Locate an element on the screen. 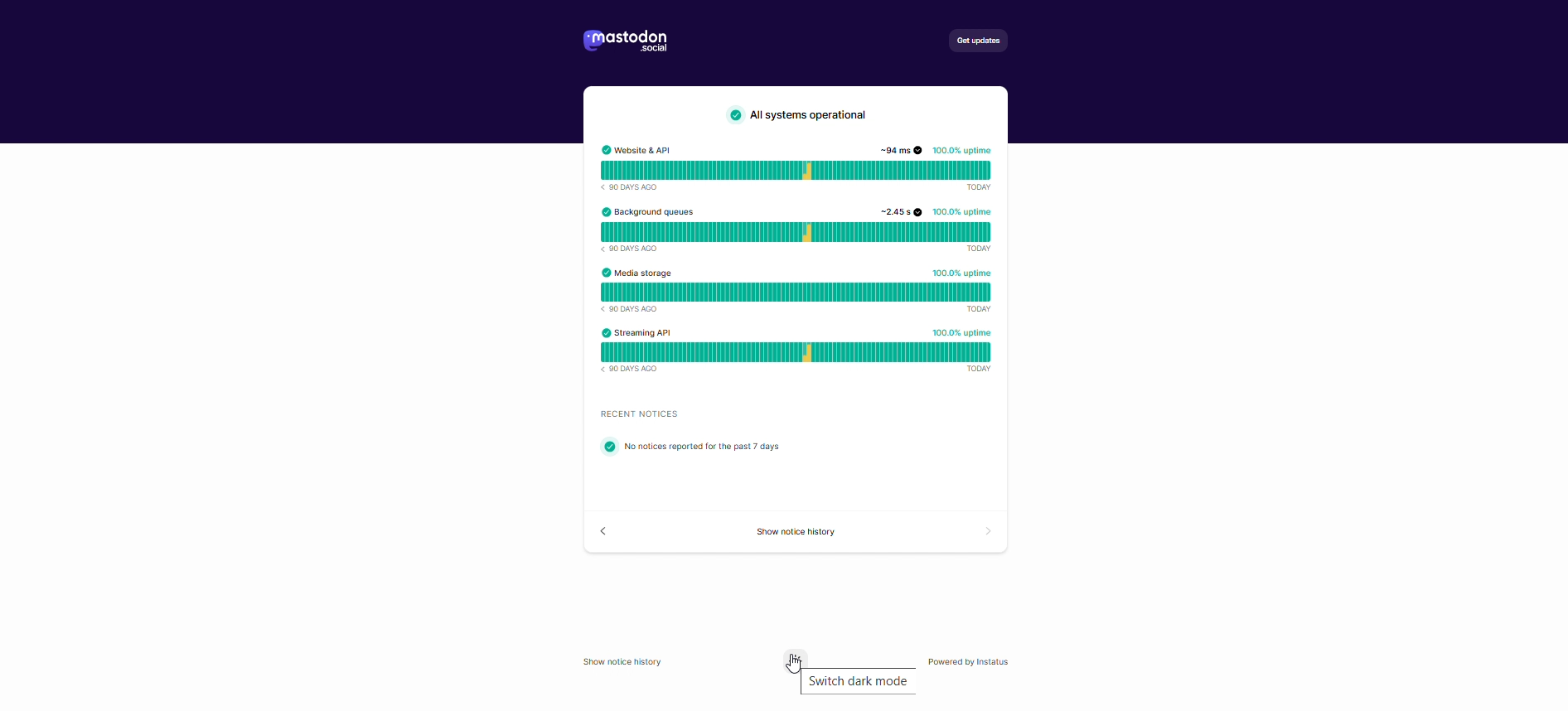 Image resolution: width=1568 pixels, height=711 pixels. text is located at coordinates (771, 446).